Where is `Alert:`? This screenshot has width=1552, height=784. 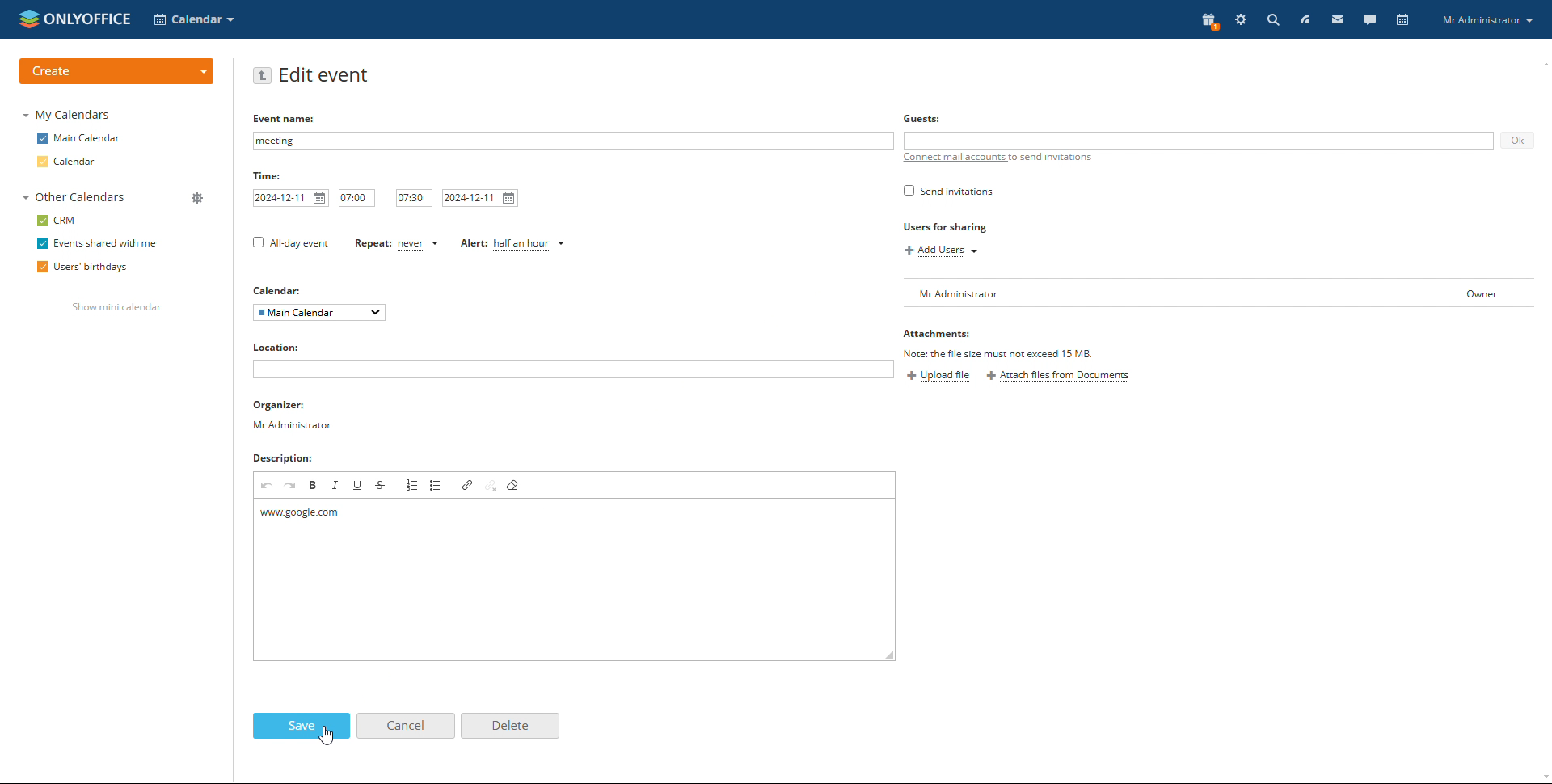
Alert: is located at coordinates (468, 244).